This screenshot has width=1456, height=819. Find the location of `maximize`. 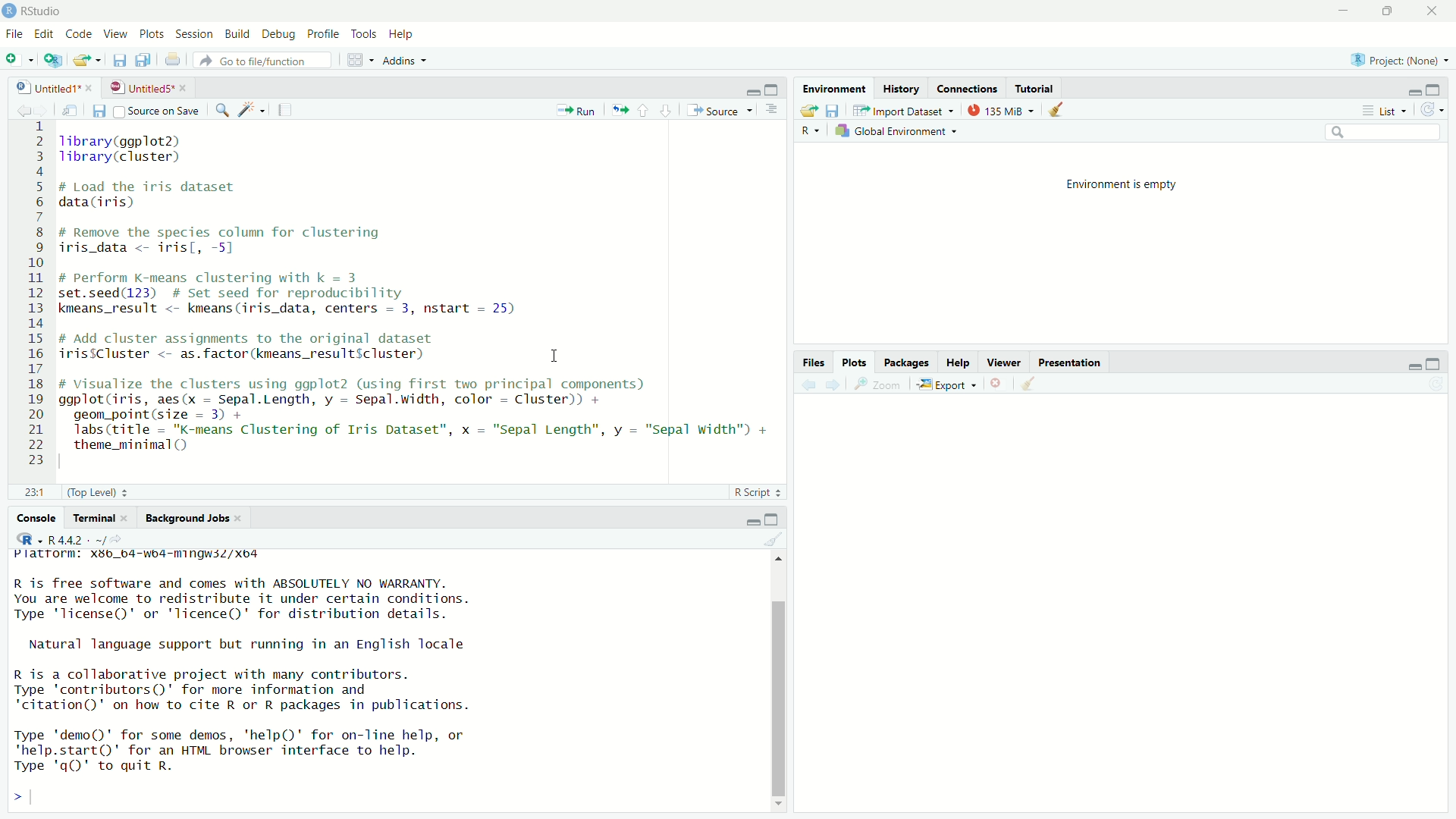

maximize is located at coordinates (777, 88).